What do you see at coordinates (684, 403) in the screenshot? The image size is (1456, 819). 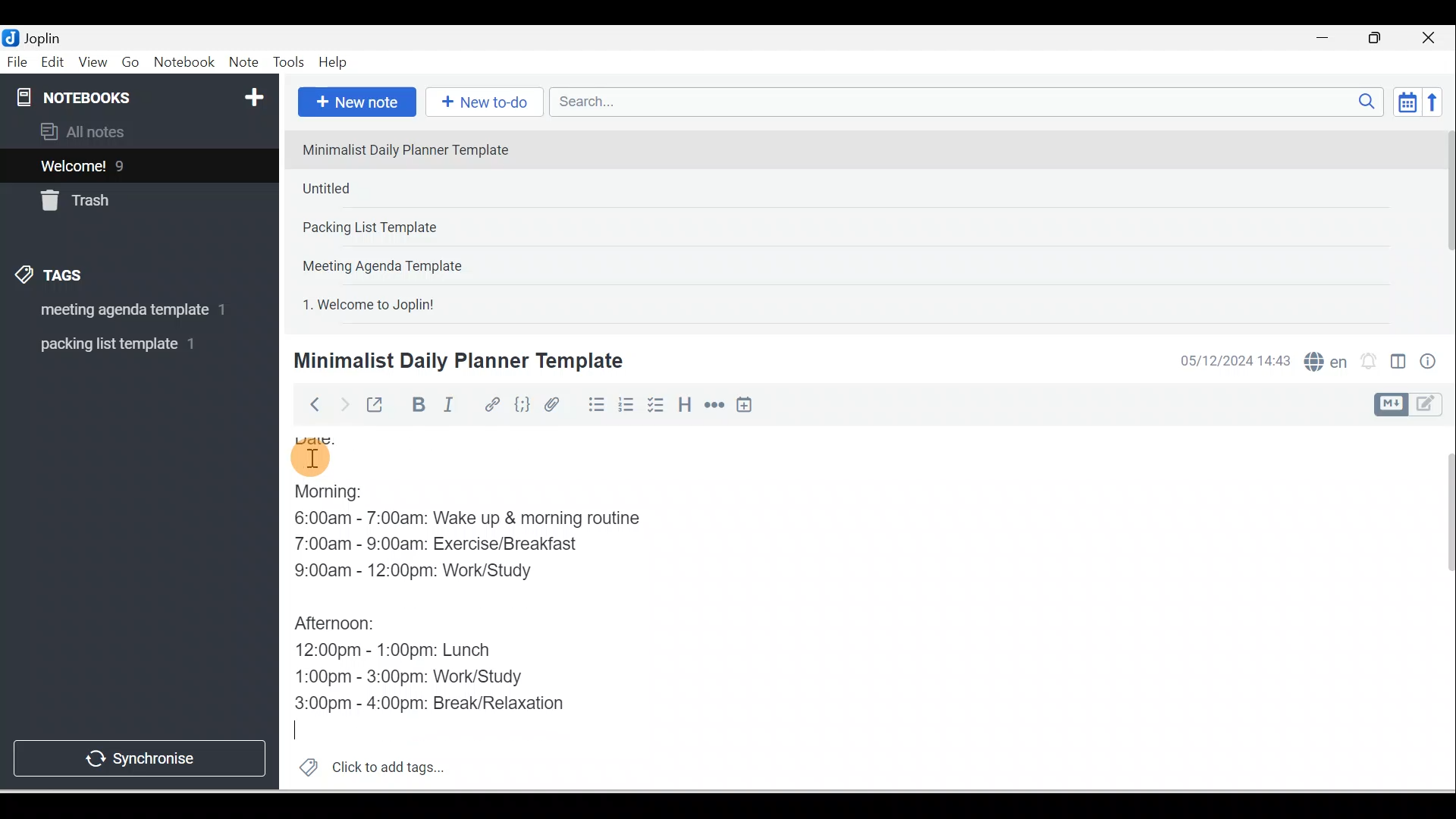 I see `Heading` at bounding box center [684, 403].